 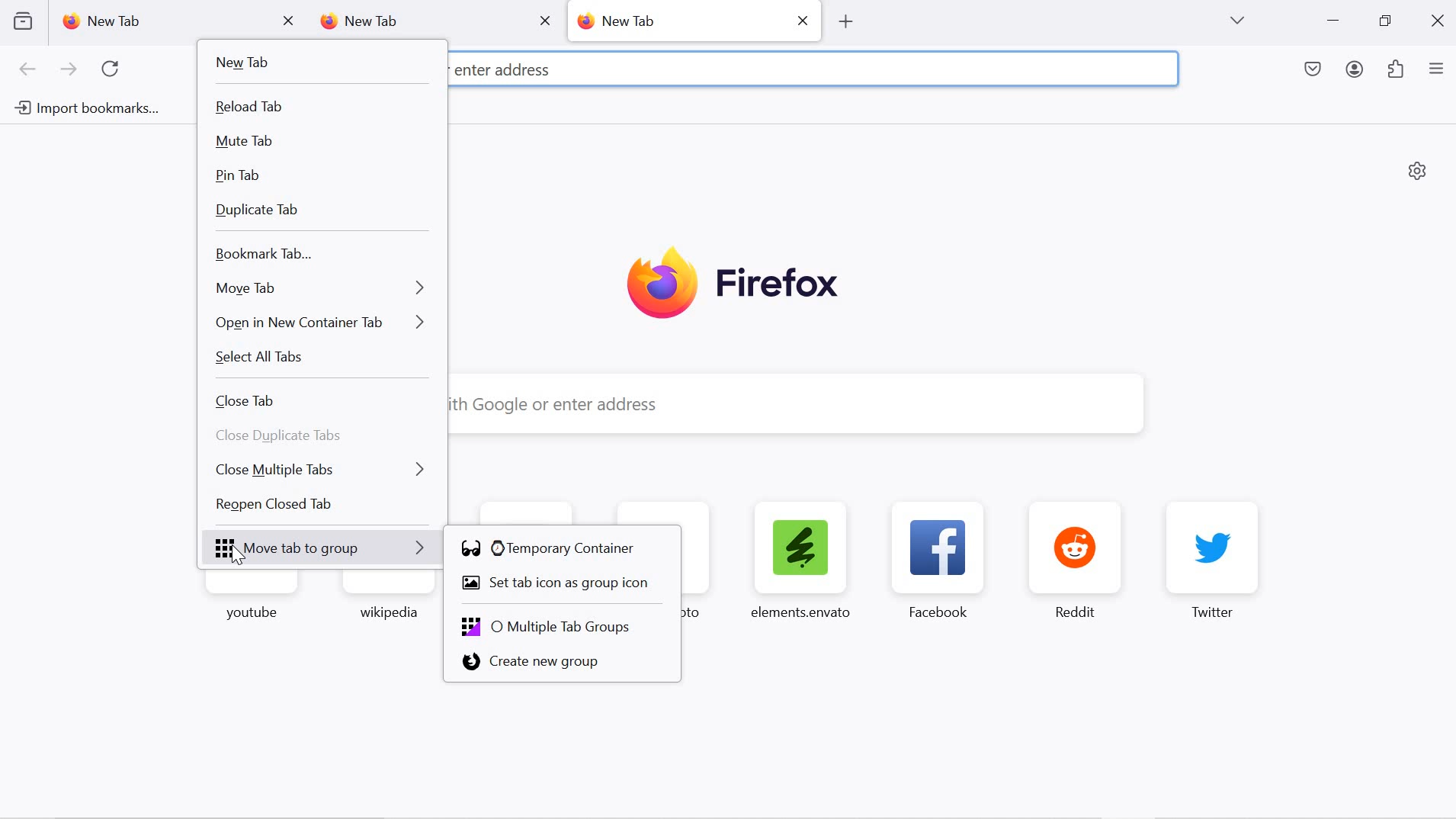 What do you see at coordinates (325, 468) in the screenshot?
I see `close multiple tabs` at bounding box center [325, 468].